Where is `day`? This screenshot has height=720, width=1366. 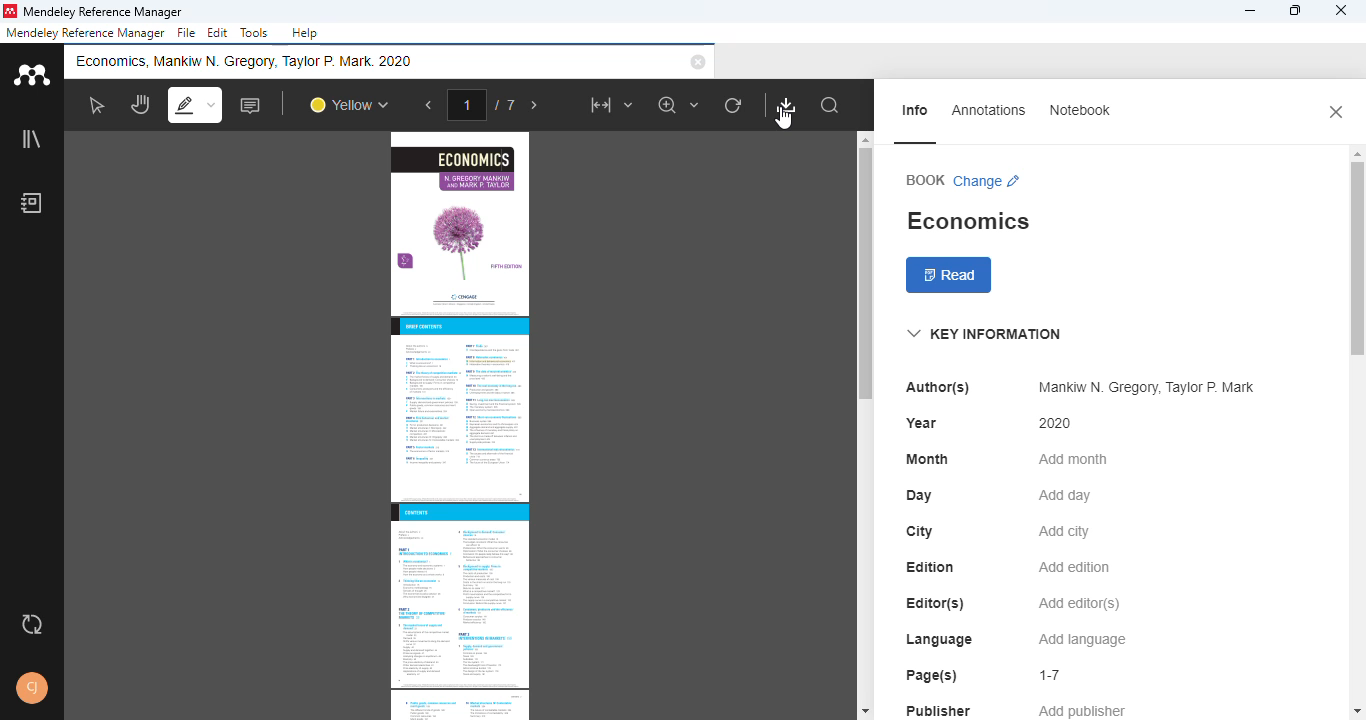
day is located at coordinates (919, 496).